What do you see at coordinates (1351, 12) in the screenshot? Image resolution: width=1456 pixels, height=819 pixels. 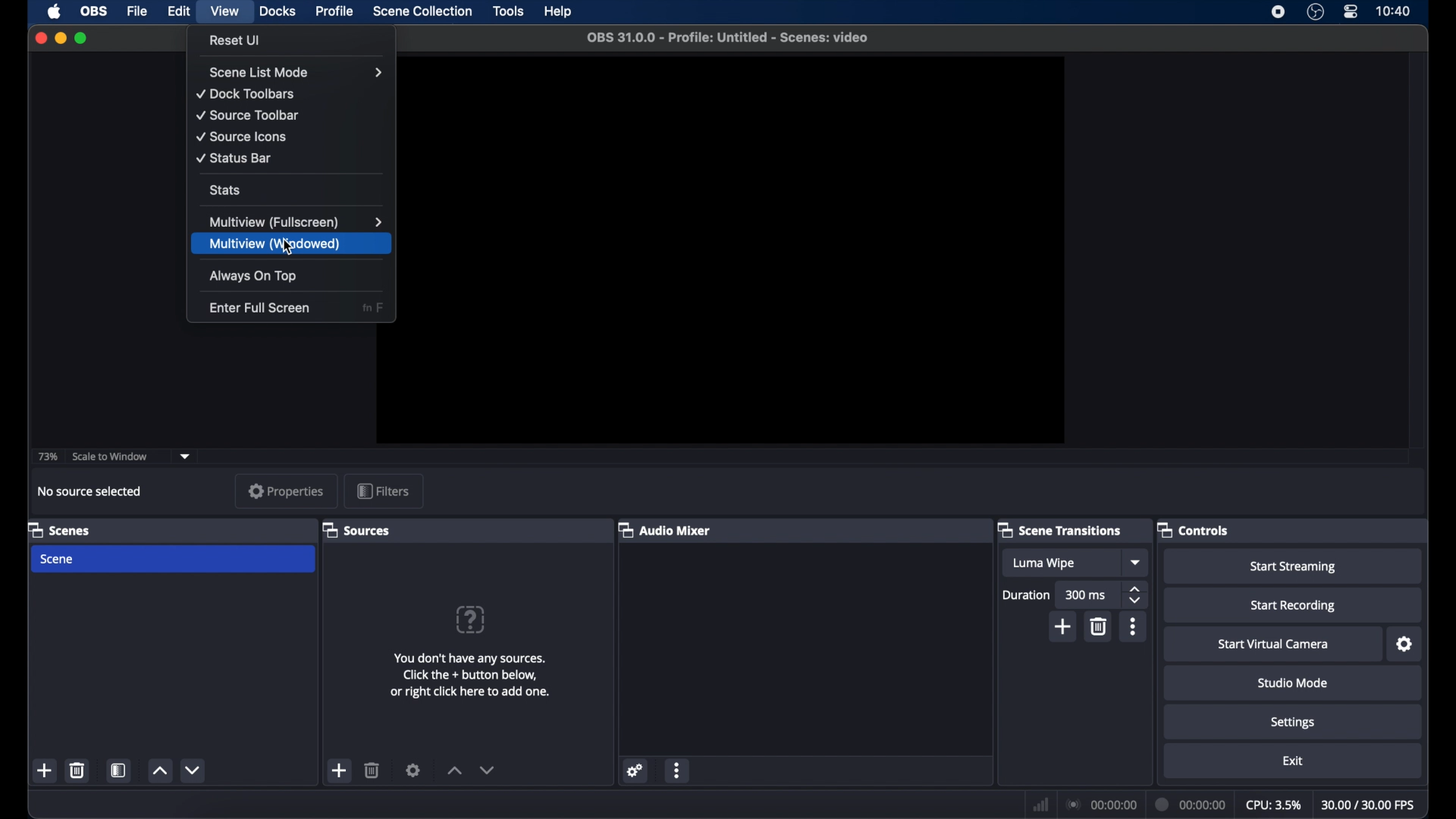 I see `control center` at bounding box center [1351, 12].